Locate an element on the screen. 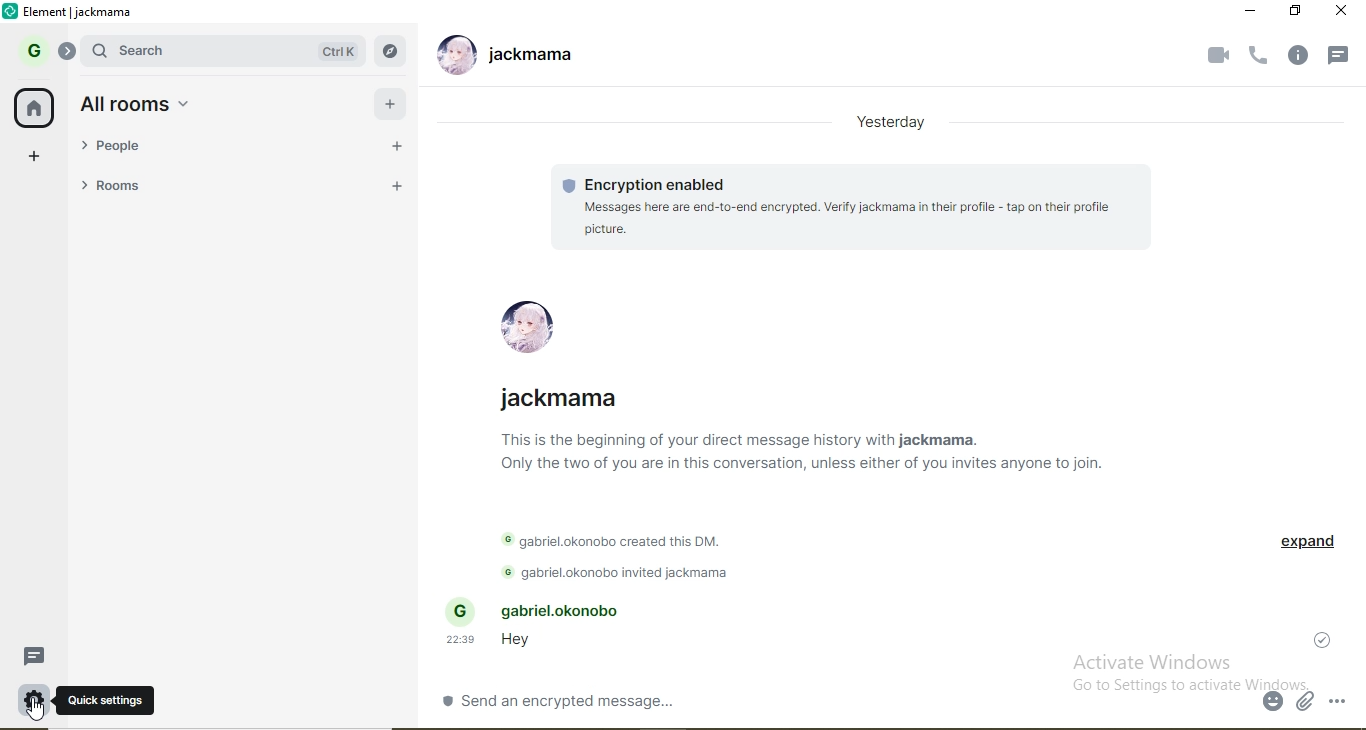 The width and height of the screenshot is (1366, 730). video call is located at coordinates (1217, 58).